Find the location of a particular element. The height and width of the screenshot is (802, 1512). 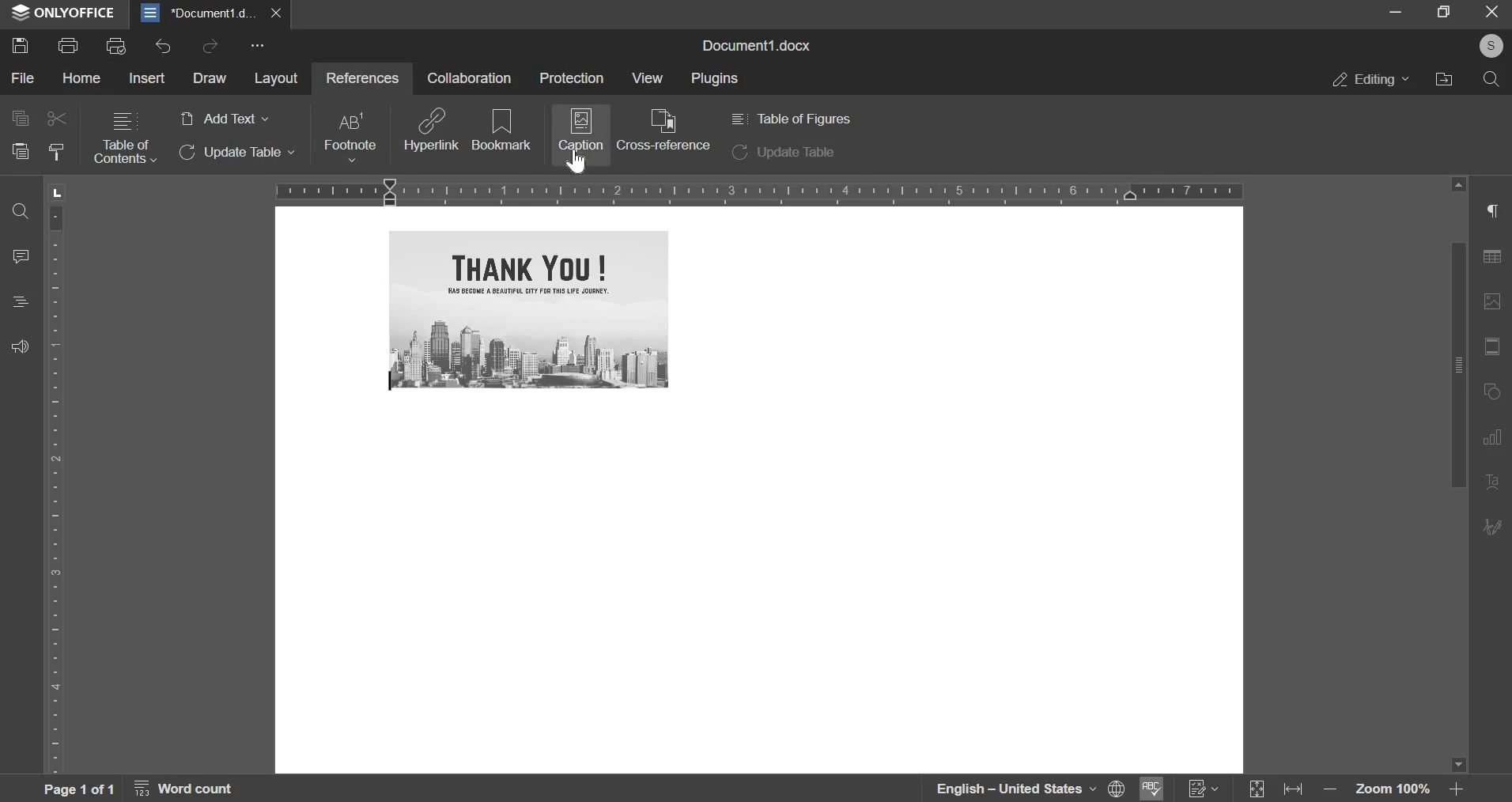

add text is located at coordinates (223, 119).